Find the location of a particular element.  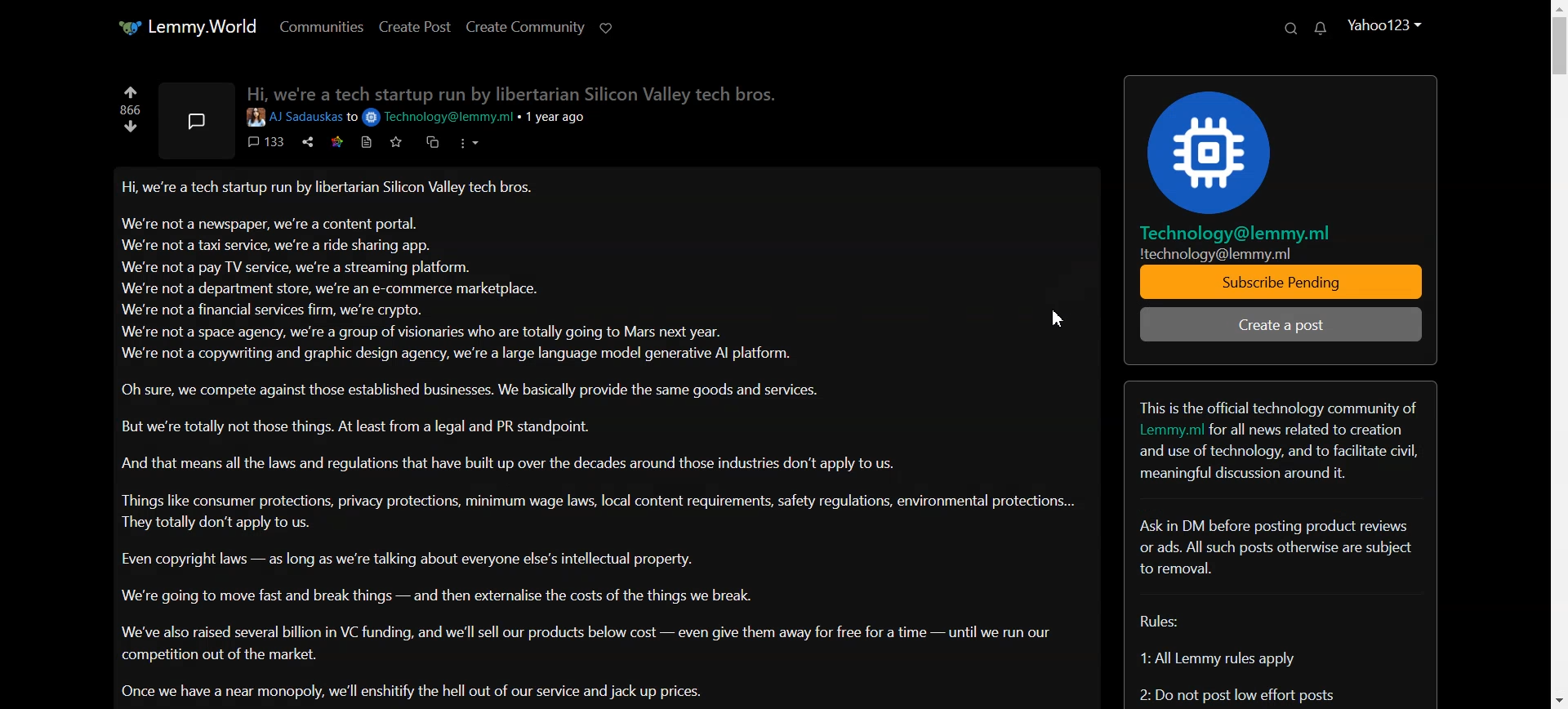

!technology@lemmy.ml is located at coordinates (1215, 253).